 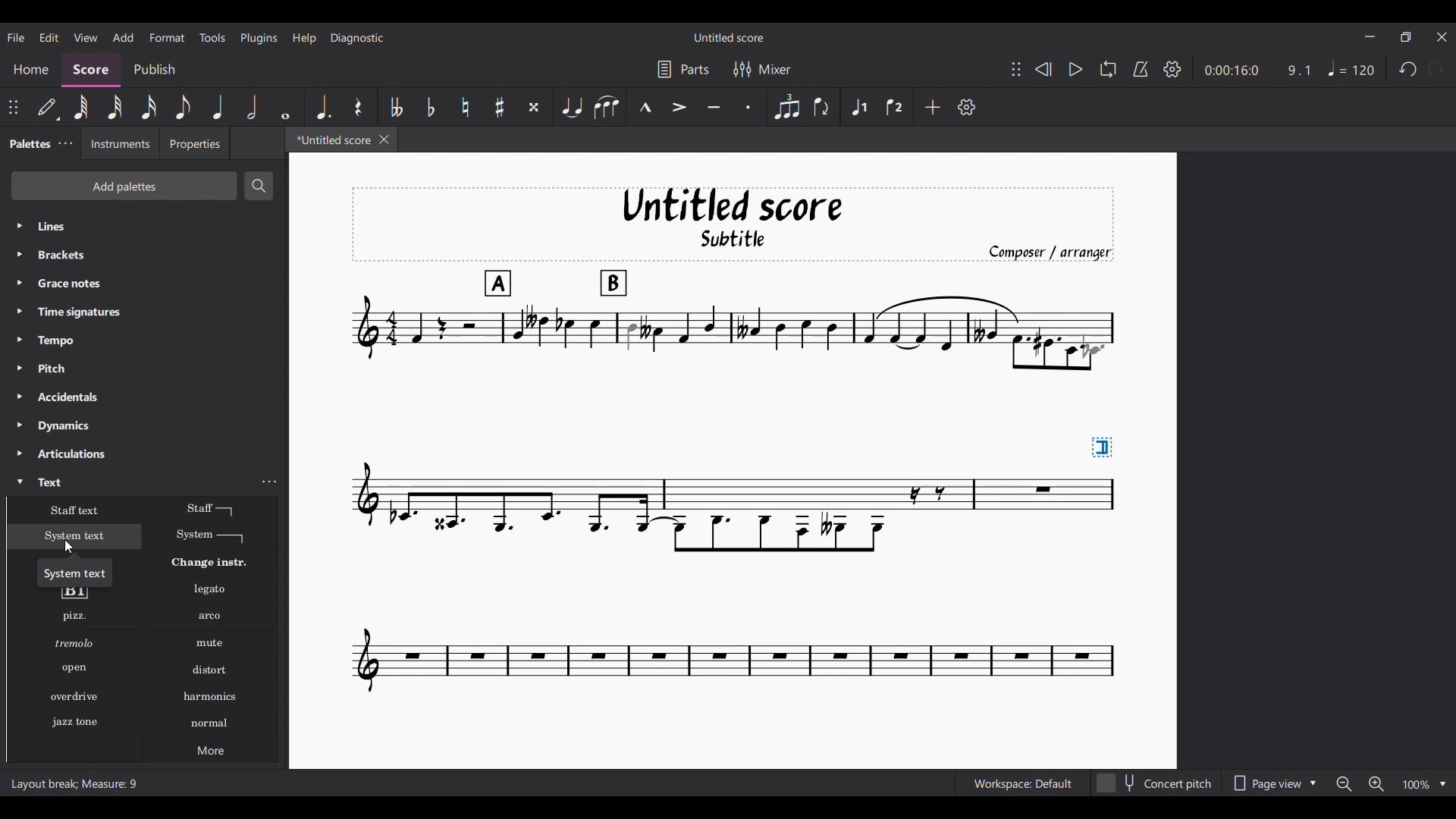 What do you see at coordinates (1272, 783) in the screenshot?
I see `Page view options` at bounding box center [1272, 783].